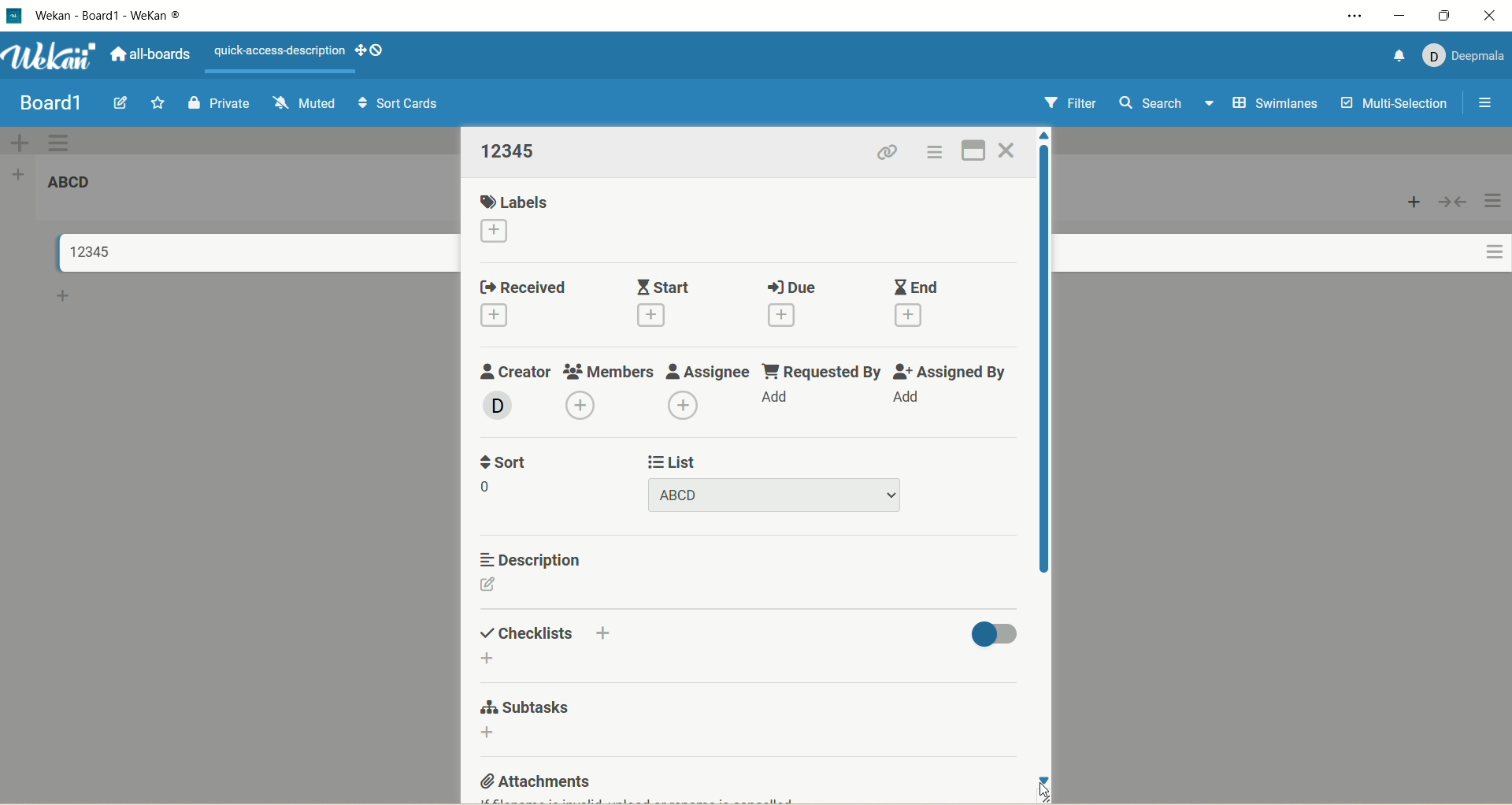  I want to click on add, so click(779, 399).